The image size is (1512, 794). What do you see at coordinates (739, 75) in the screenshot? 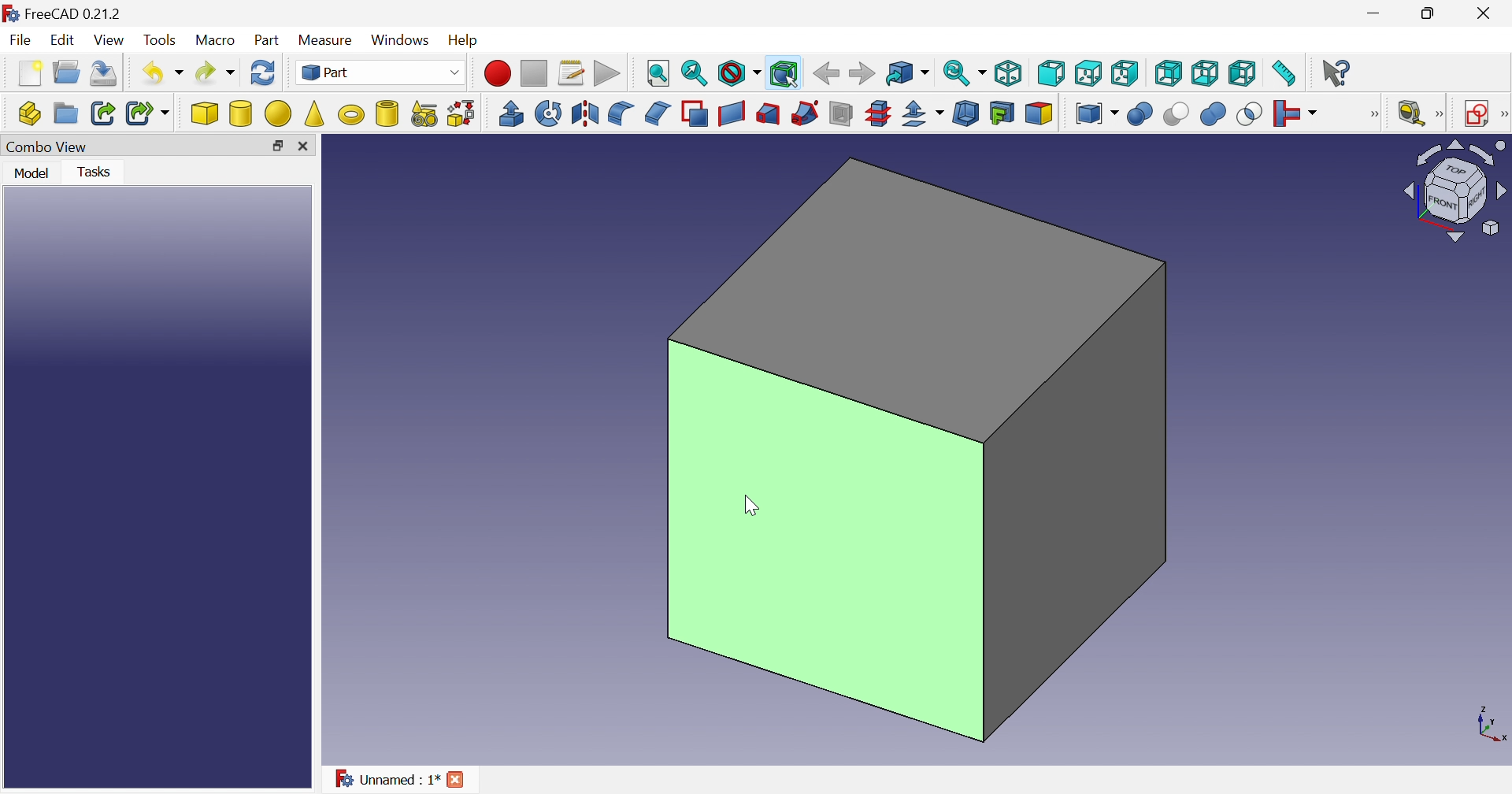
I see `Draw style ` at bounding box center [739, 75].